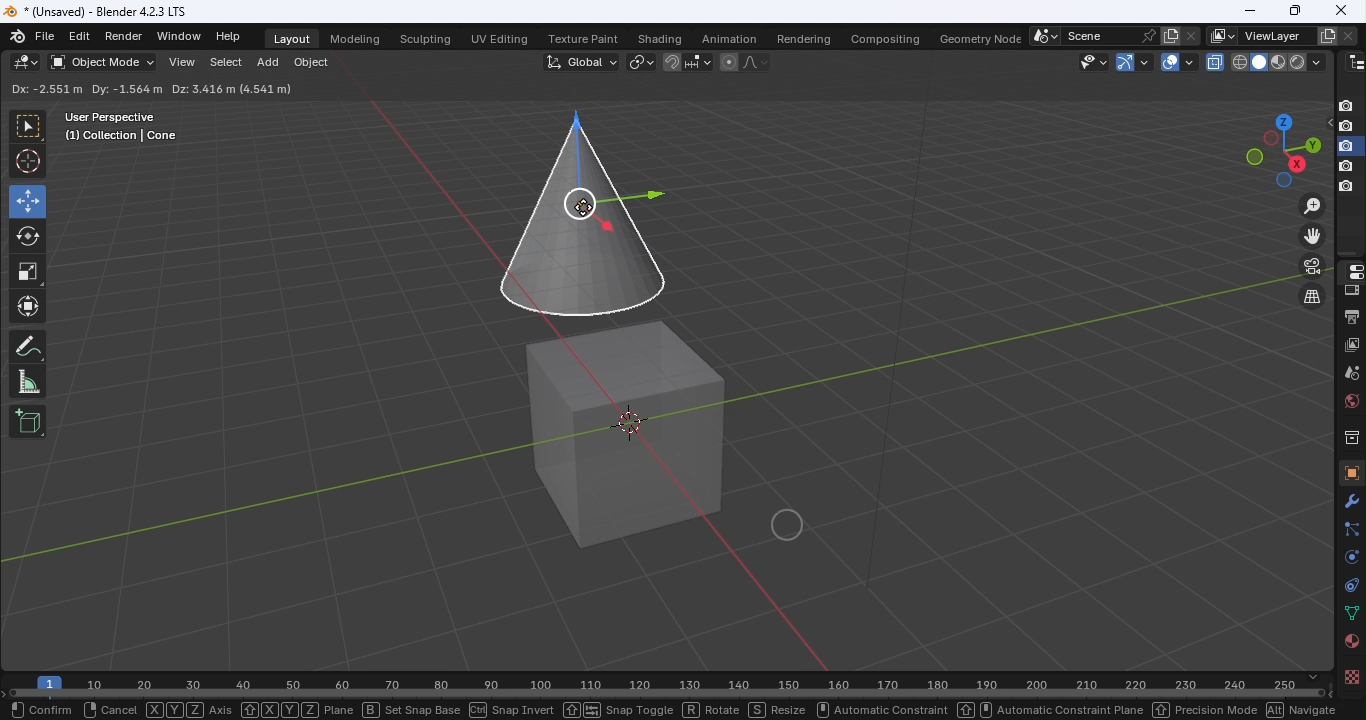 Image resolution: width=1366 pixels, height=720 pixels. What do you see at coordinates (266, 90) in the screenshot?
I see `Select box` at bounding box center [266, 90].